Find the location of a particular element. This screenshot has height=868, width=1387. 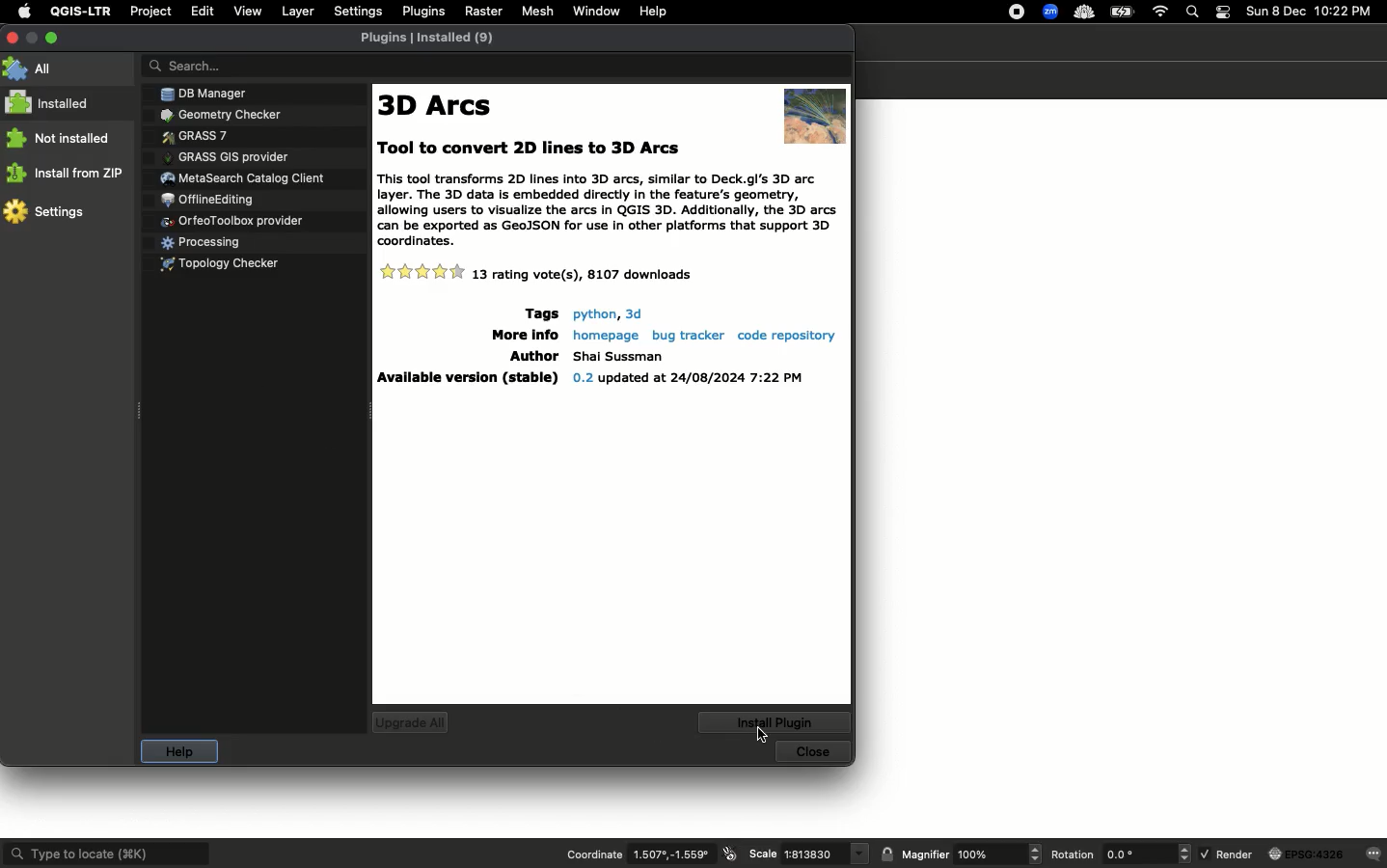

Charge is located at coordinates (1123, 13).